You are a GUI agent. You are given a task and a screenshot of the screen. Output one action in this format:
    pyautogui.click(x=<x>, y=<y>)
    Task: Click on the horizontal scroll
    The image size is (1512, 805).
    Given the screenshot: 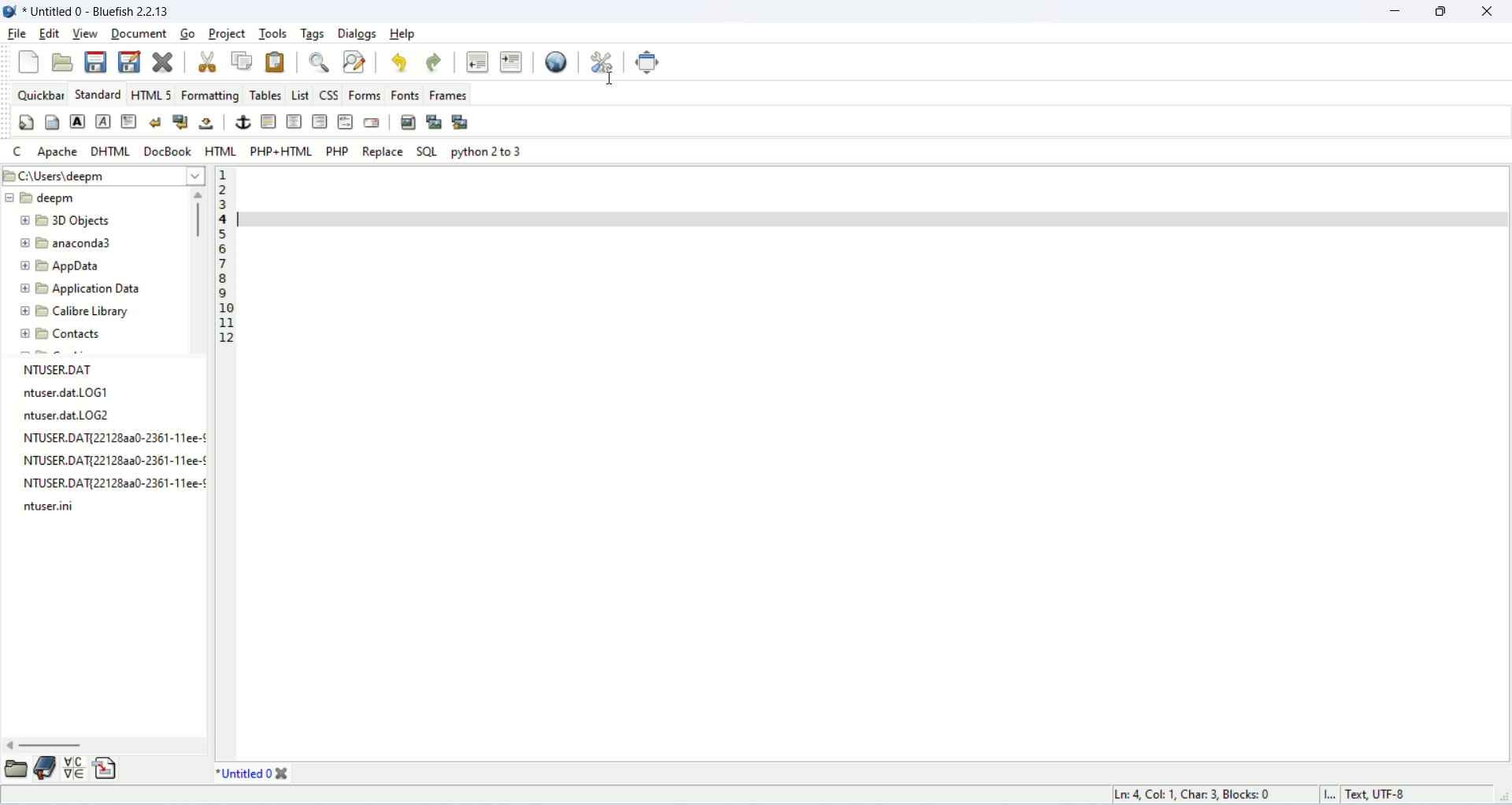 What is the action you would take?
    pyautogui.click(x=199, y=269)
    